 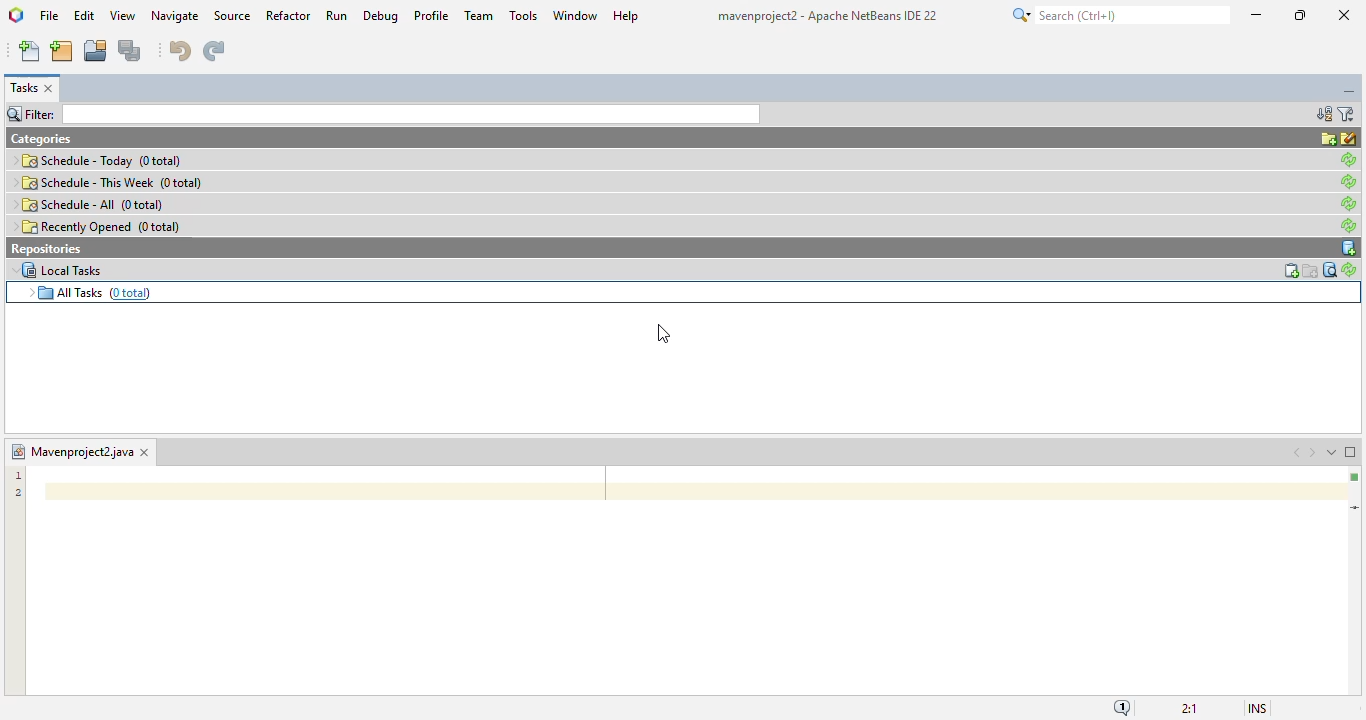 What do you see at coordinates (688, 581) in the screenshot?
I see `editor window` at bounding box center [688, 581].